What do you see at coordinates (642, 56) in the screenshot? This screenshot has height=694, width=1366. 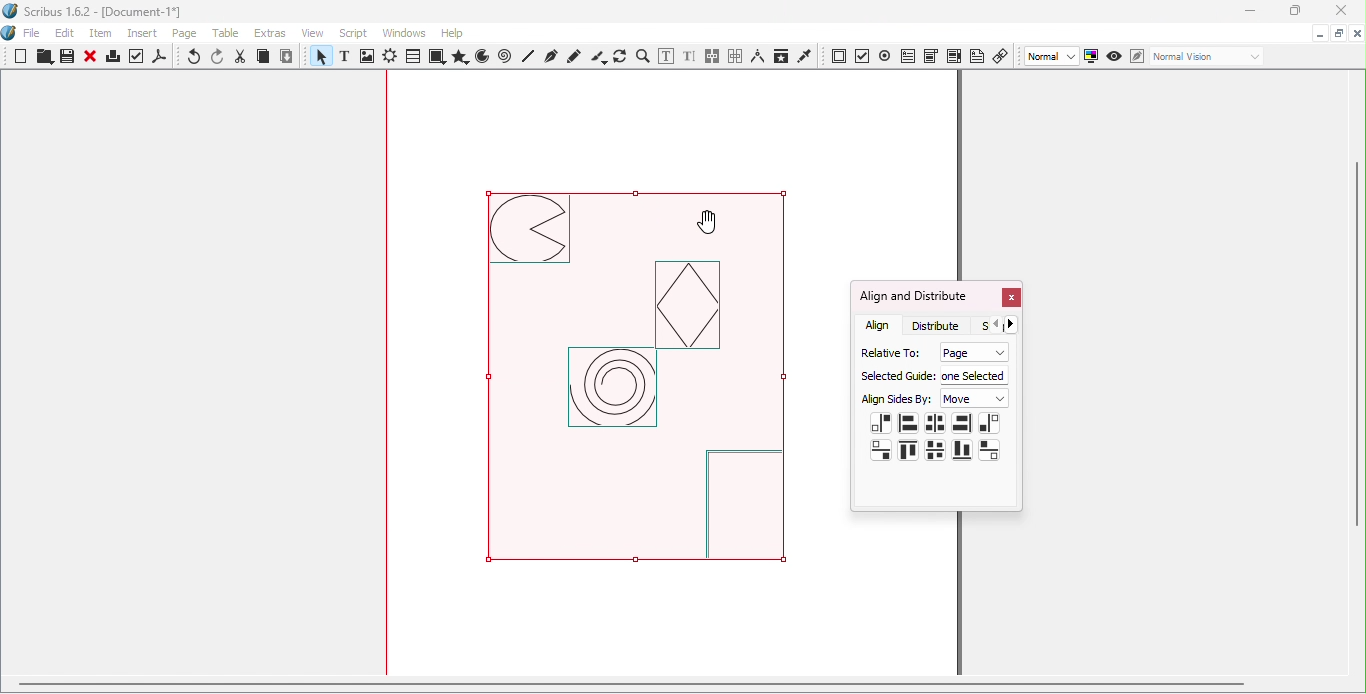 I see `Zoom in or out` at bounding box center [642, 56].